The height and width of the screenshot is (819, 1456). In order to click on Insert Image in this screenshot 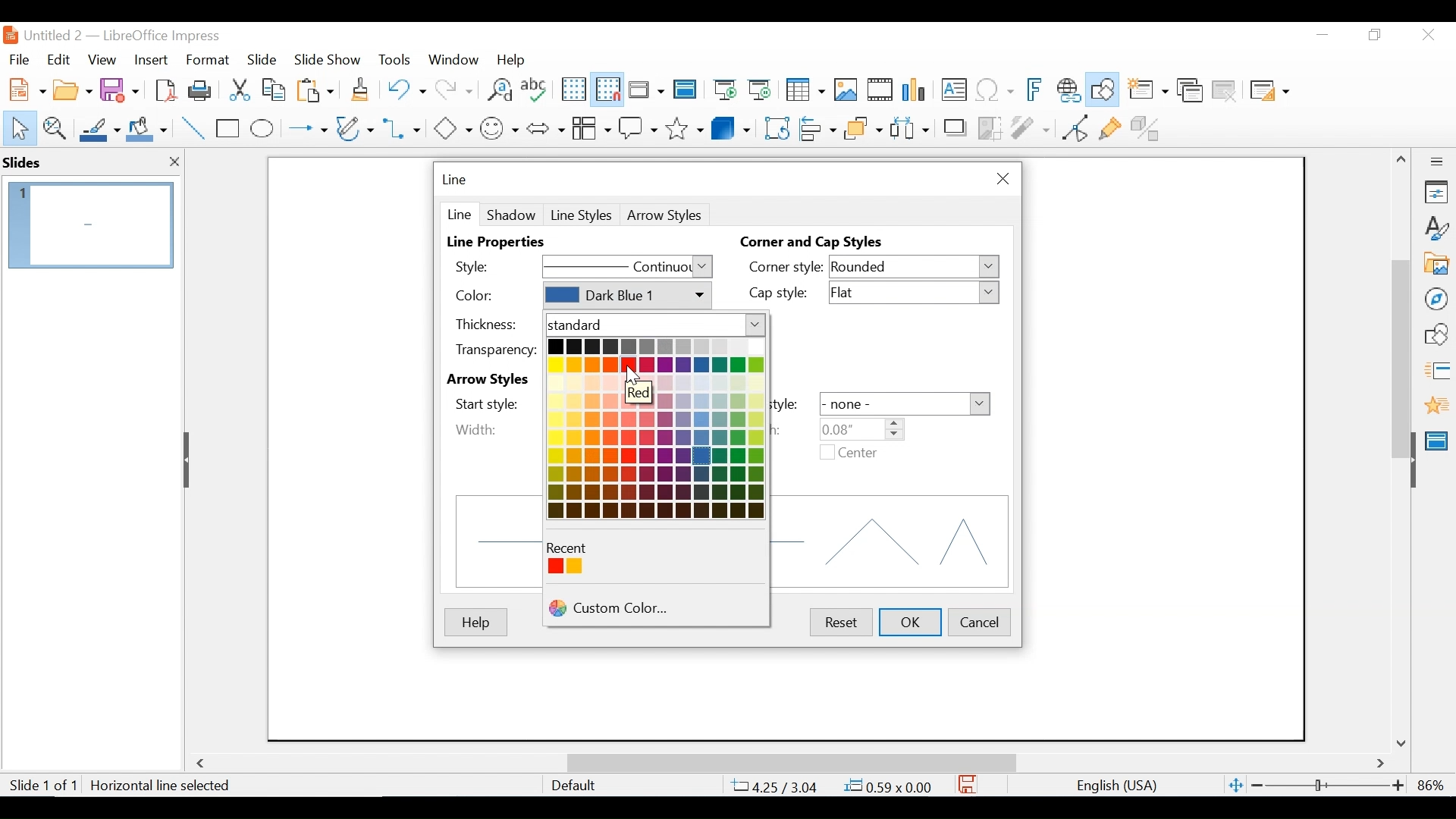, I will do `click(845, 90)`.